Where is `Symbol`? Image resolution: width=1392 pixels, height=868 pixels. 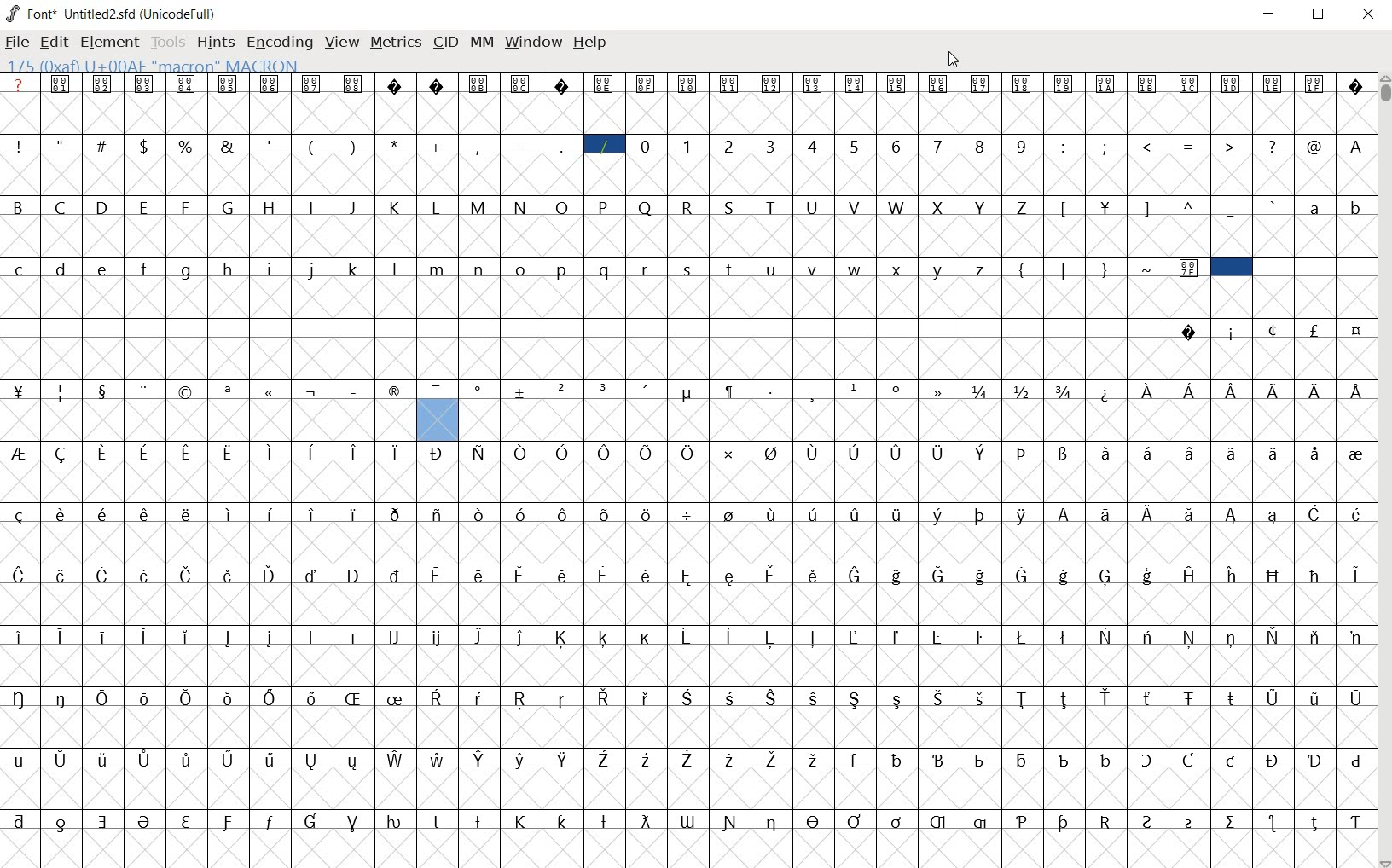 Symbol is located at coordinates (522, 514).